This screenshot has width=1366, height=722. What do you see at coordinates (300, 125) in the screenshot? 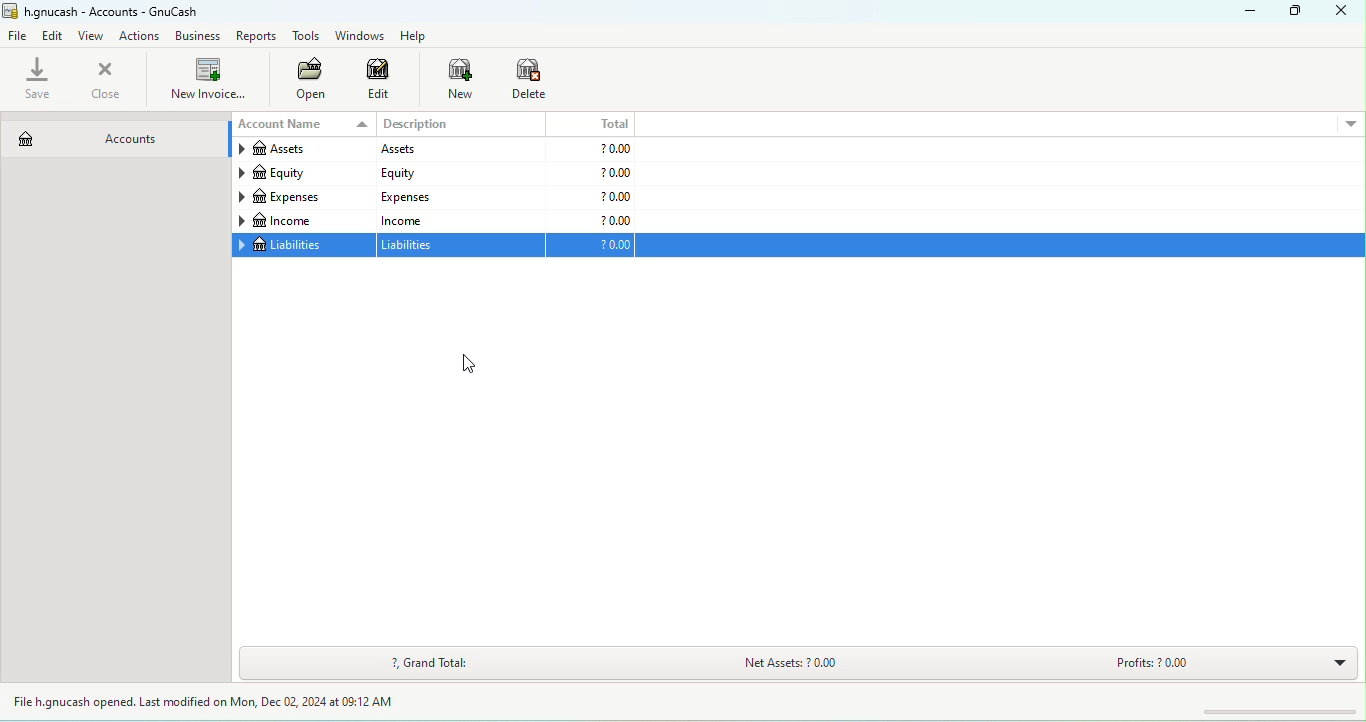
I see `account name` at bounding box center [300, 125].